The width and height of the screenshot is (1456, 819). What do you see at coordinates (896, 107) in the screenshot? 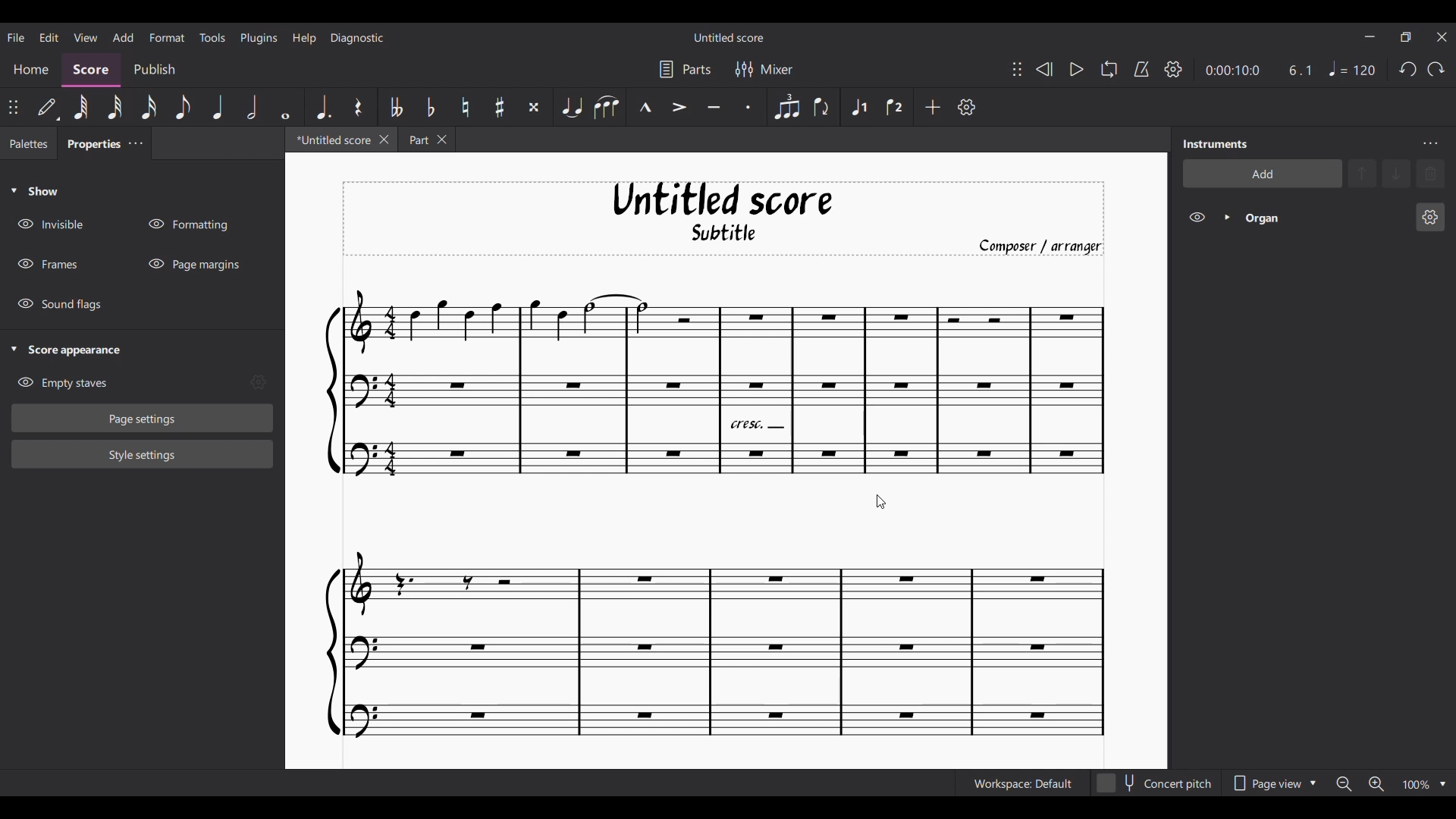
I see `Voice 2` at bounding box center [896, 107].